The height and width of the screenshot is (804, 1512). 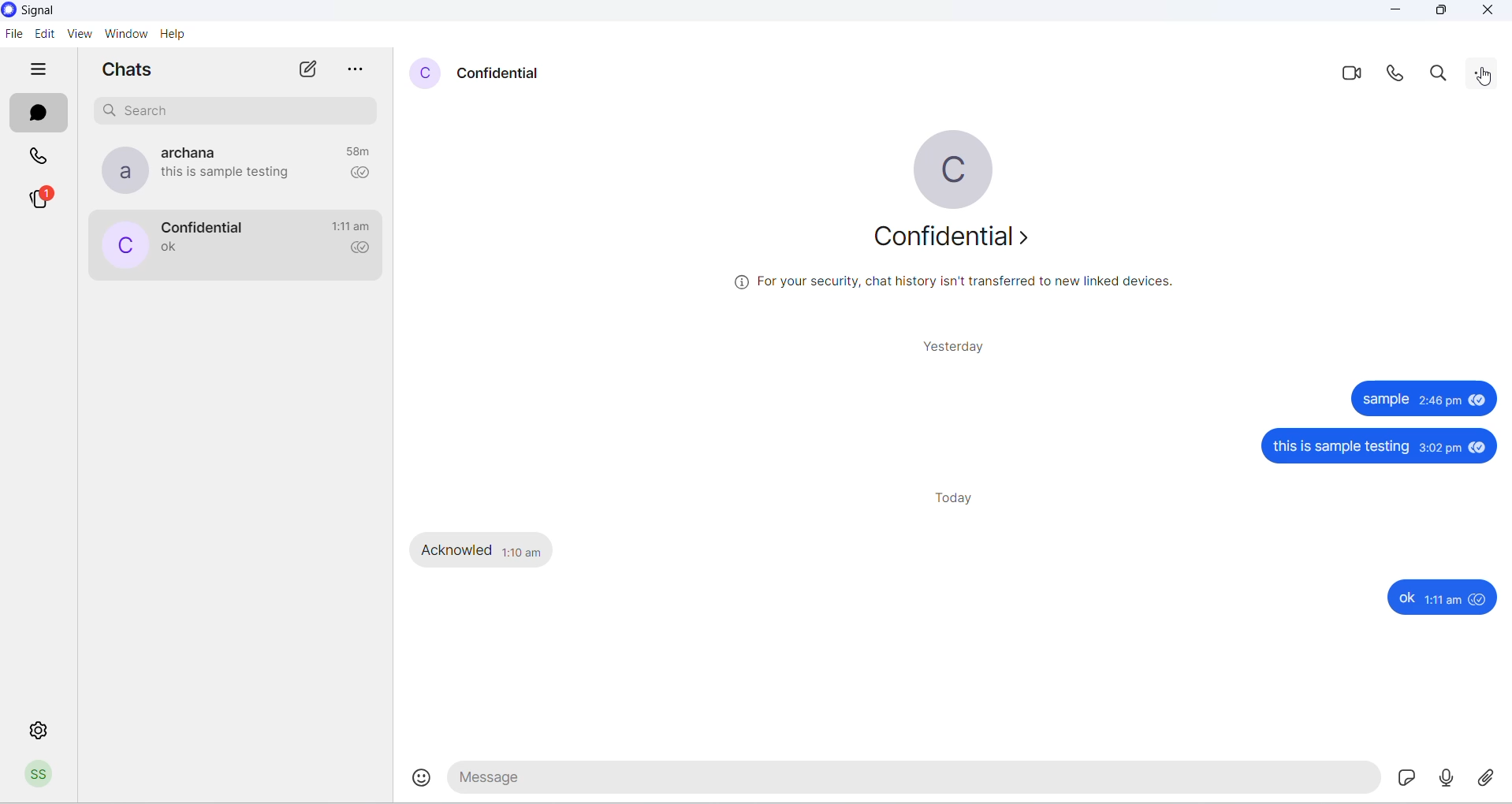 What do you see at coordinates (952, 282) in the screenshot?
I see `For your security, chat history isn't transferred to new linked devices.` at bounding box center [952, 282].